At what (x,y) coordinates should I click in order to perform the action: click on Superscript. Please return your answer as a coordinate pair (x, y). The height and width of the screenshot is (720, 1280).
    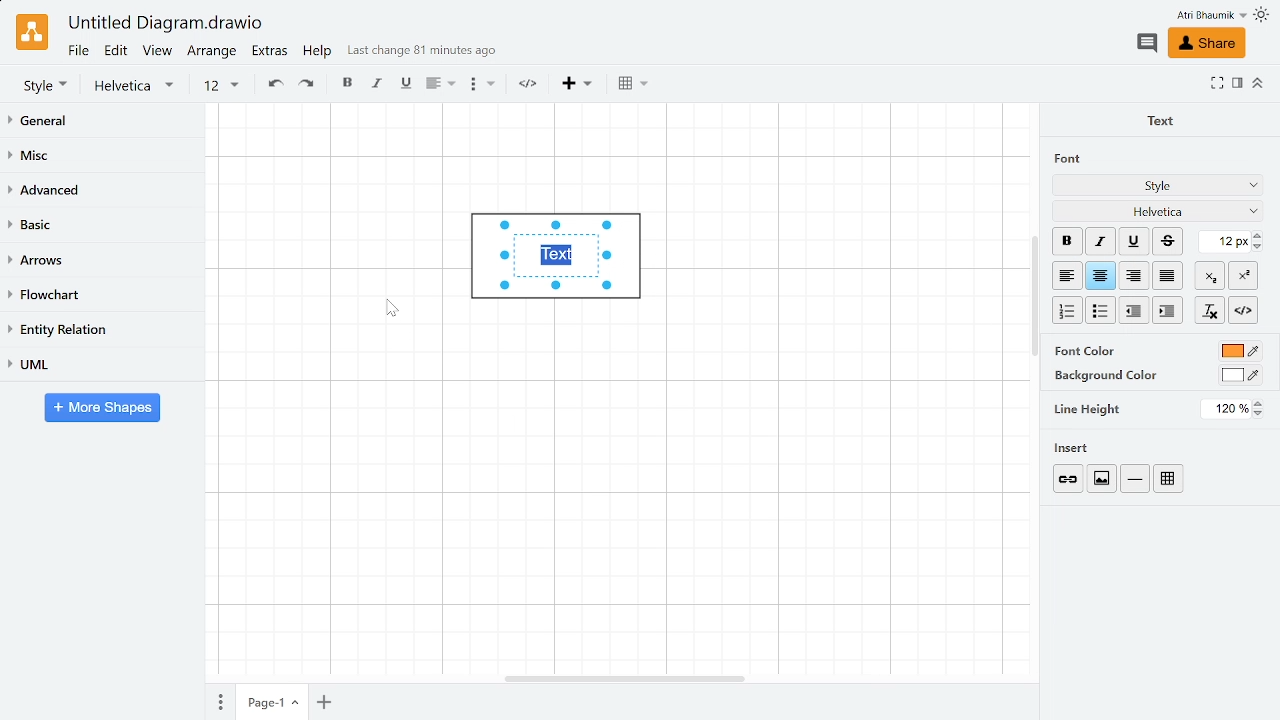
    Looking at the image, I should click on (1243, 274).